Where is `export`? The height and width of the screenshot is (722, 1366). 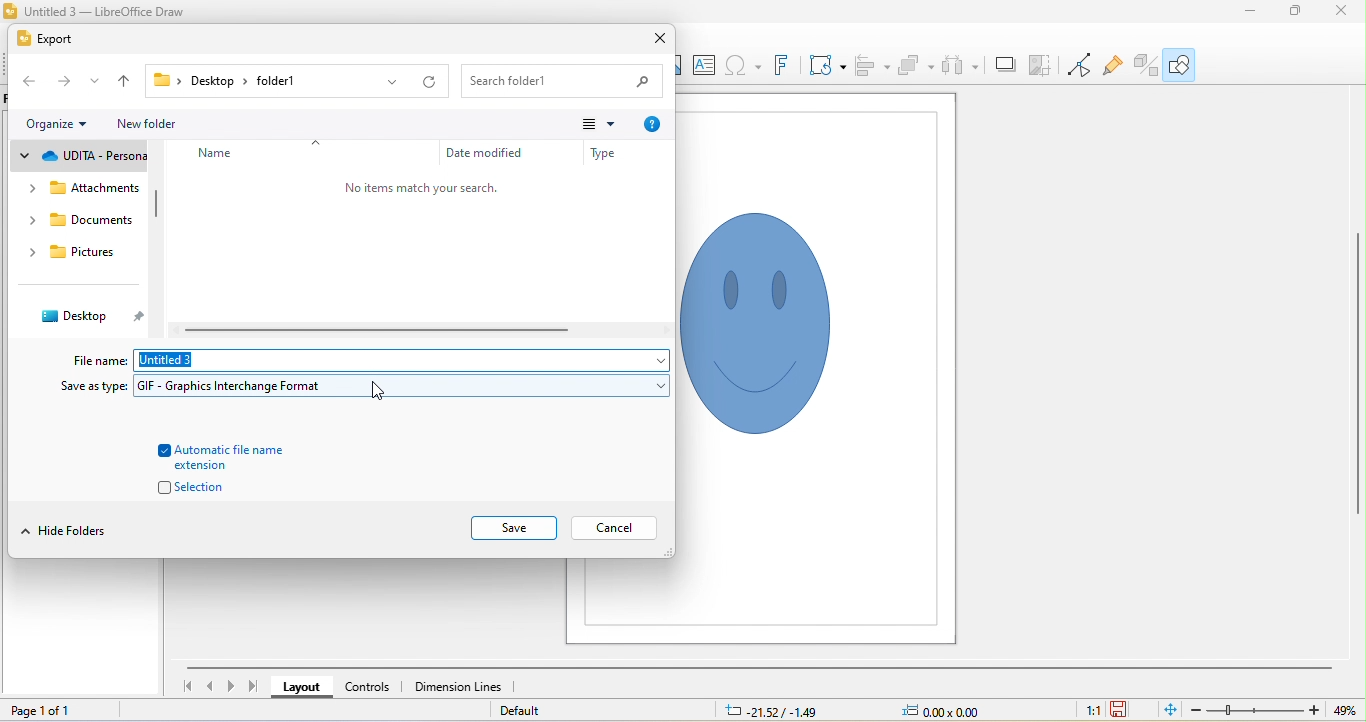 export is located at coordinates (47, 39).